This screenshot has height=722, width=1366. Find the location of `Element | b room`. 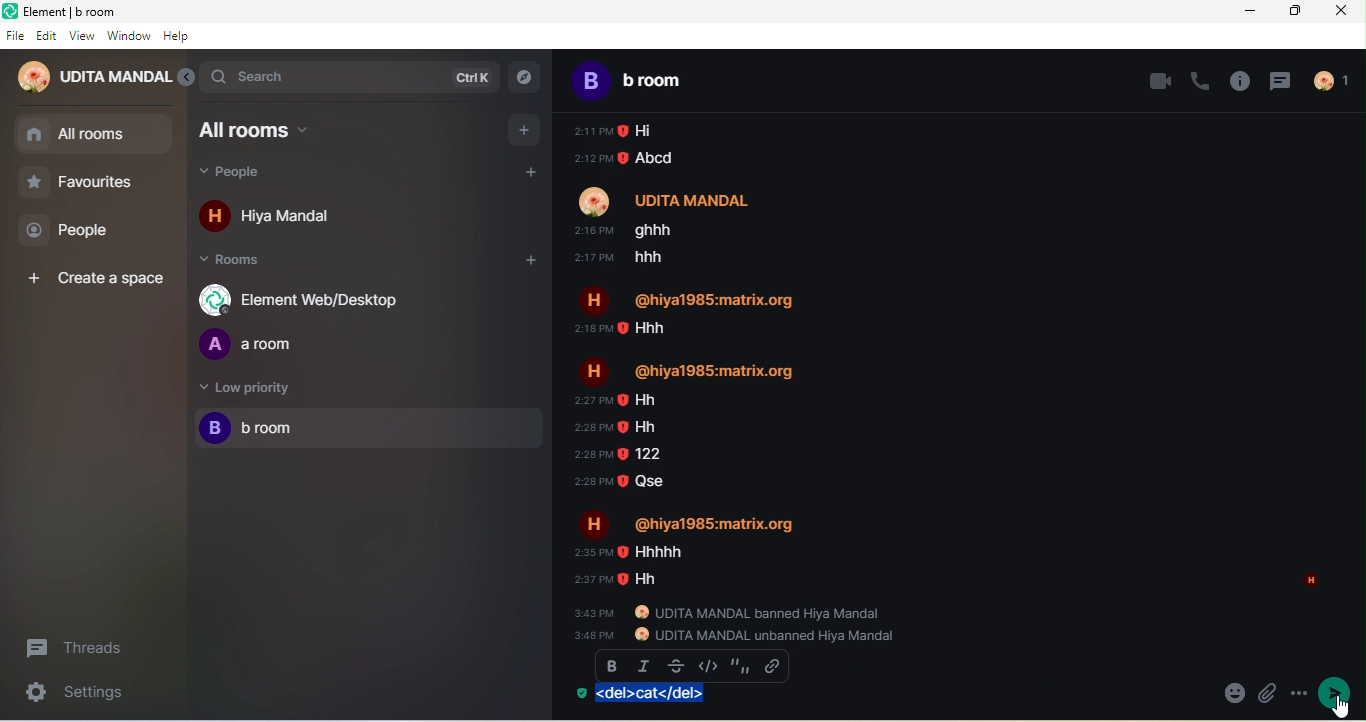

Element | b room is located at coordinates (78, 10).